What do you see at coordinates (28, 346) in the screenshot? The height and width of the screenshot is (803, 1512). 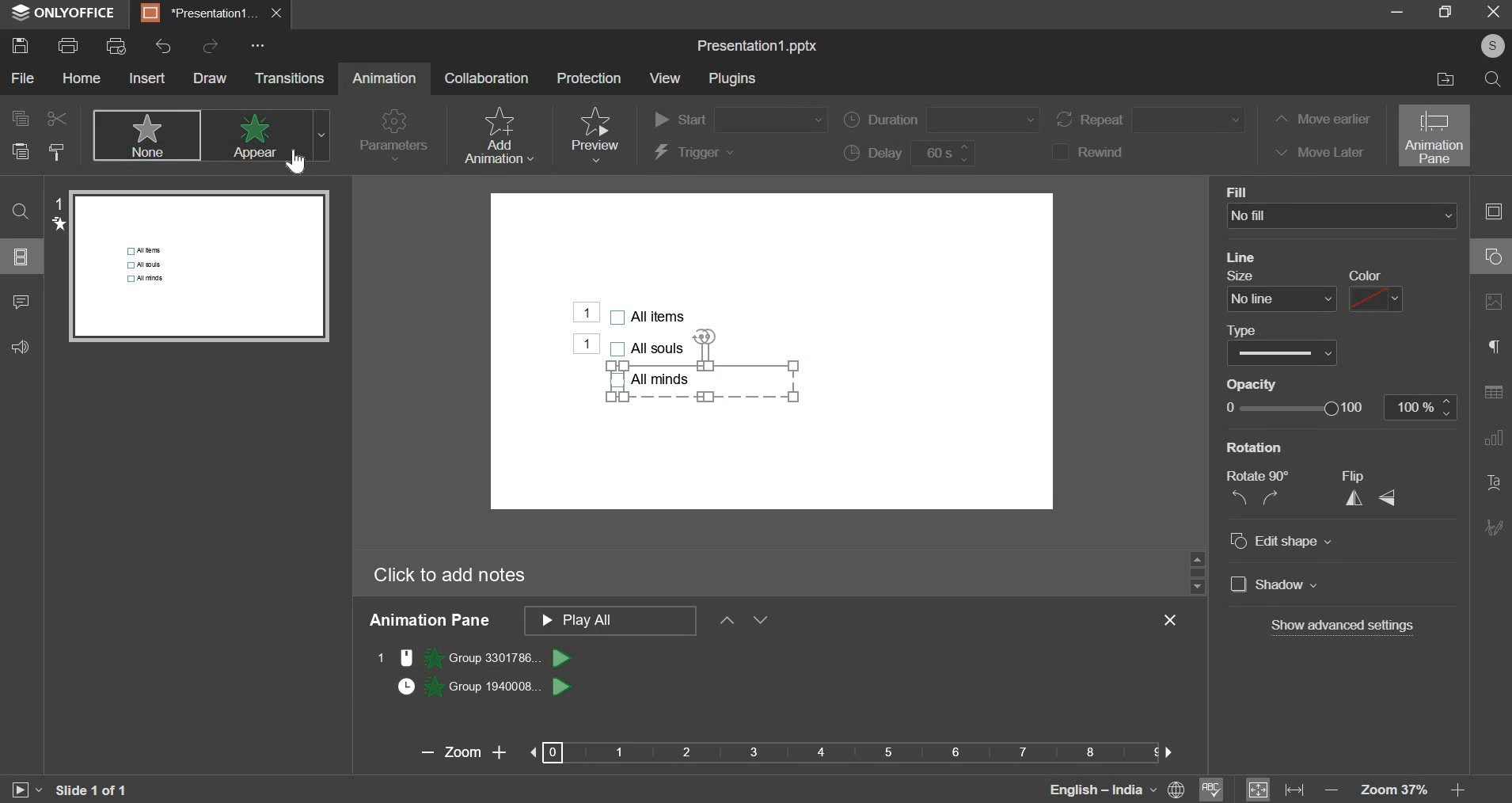 I see `feedback` at bounding box center [28, 346].